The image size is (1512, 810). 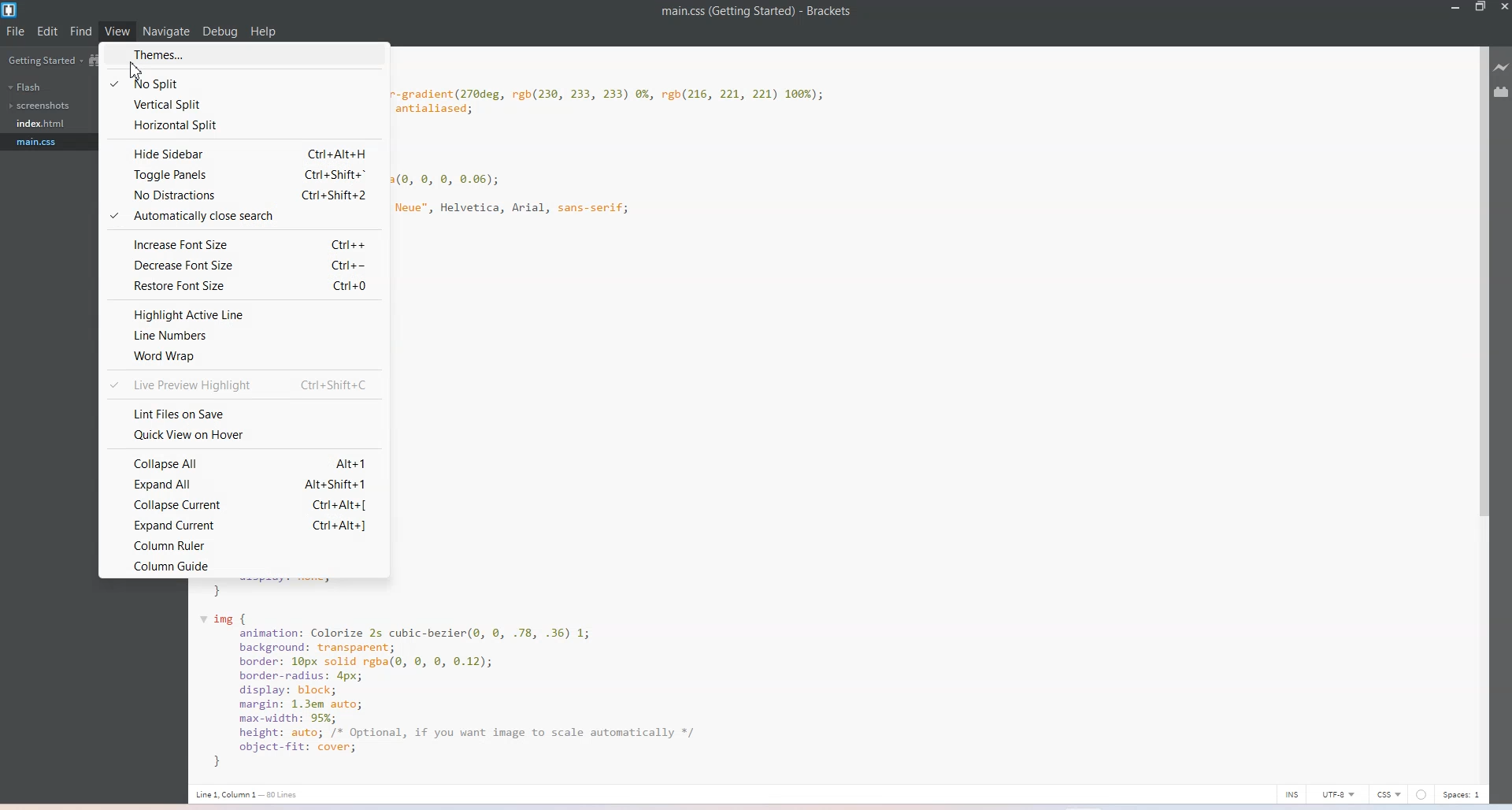 I want to click on Navigate, so click(x=168, y=32).